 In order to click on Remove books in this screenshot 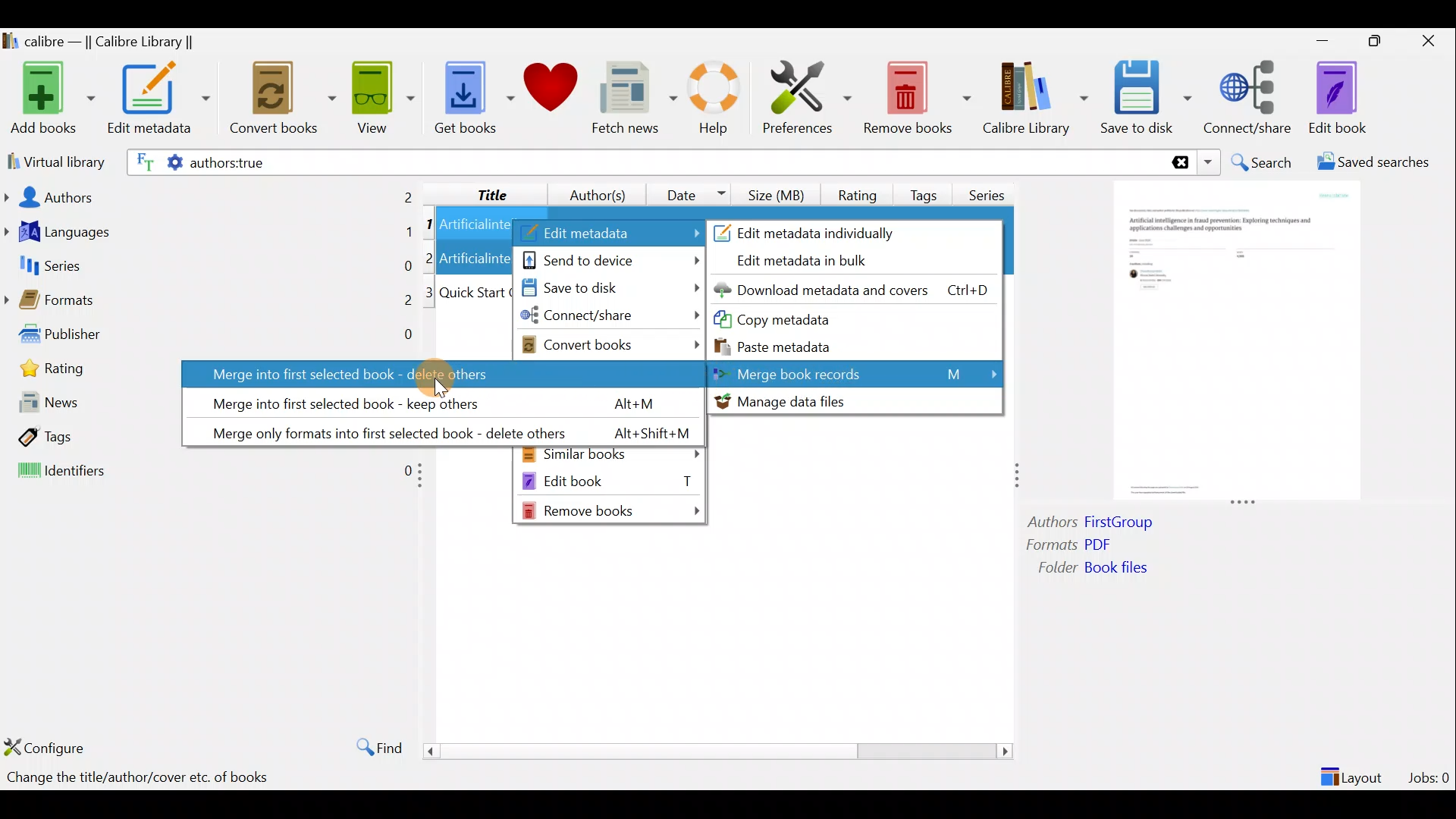, I will do `click(918, 97)`.